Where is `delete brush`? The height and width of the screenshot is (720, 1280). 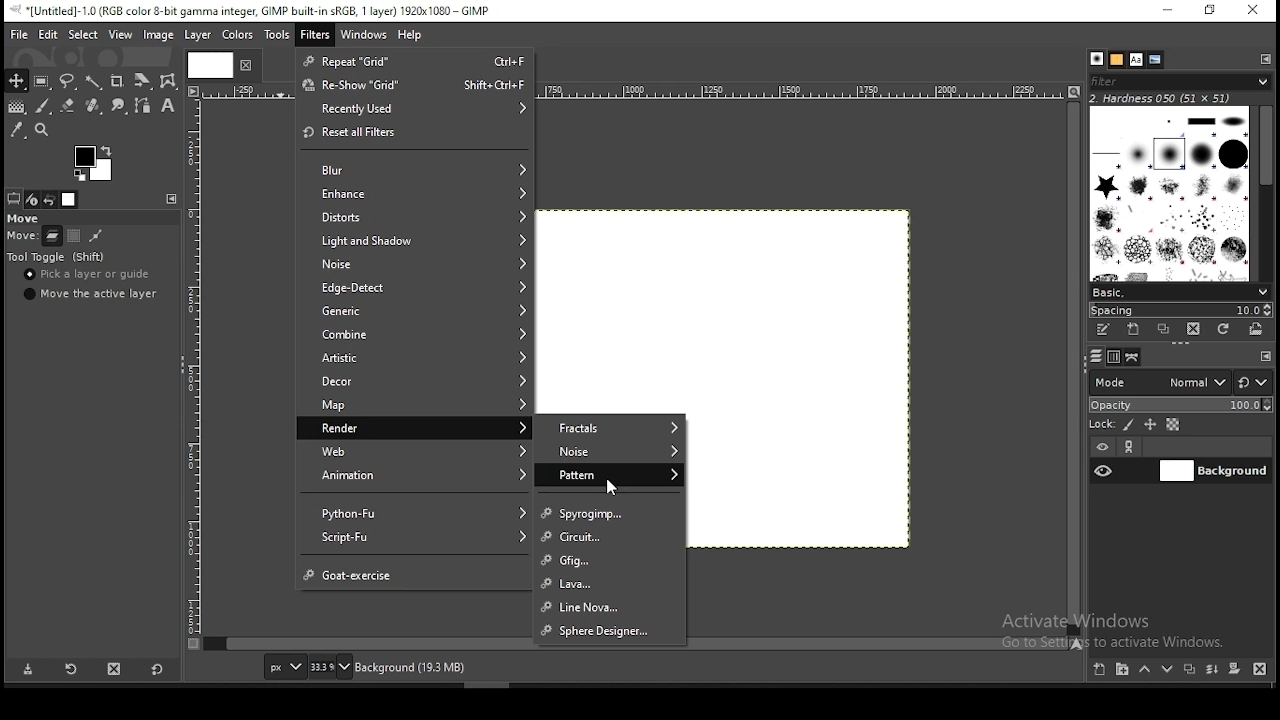 delete brush is located at coordinates (1194, 330).